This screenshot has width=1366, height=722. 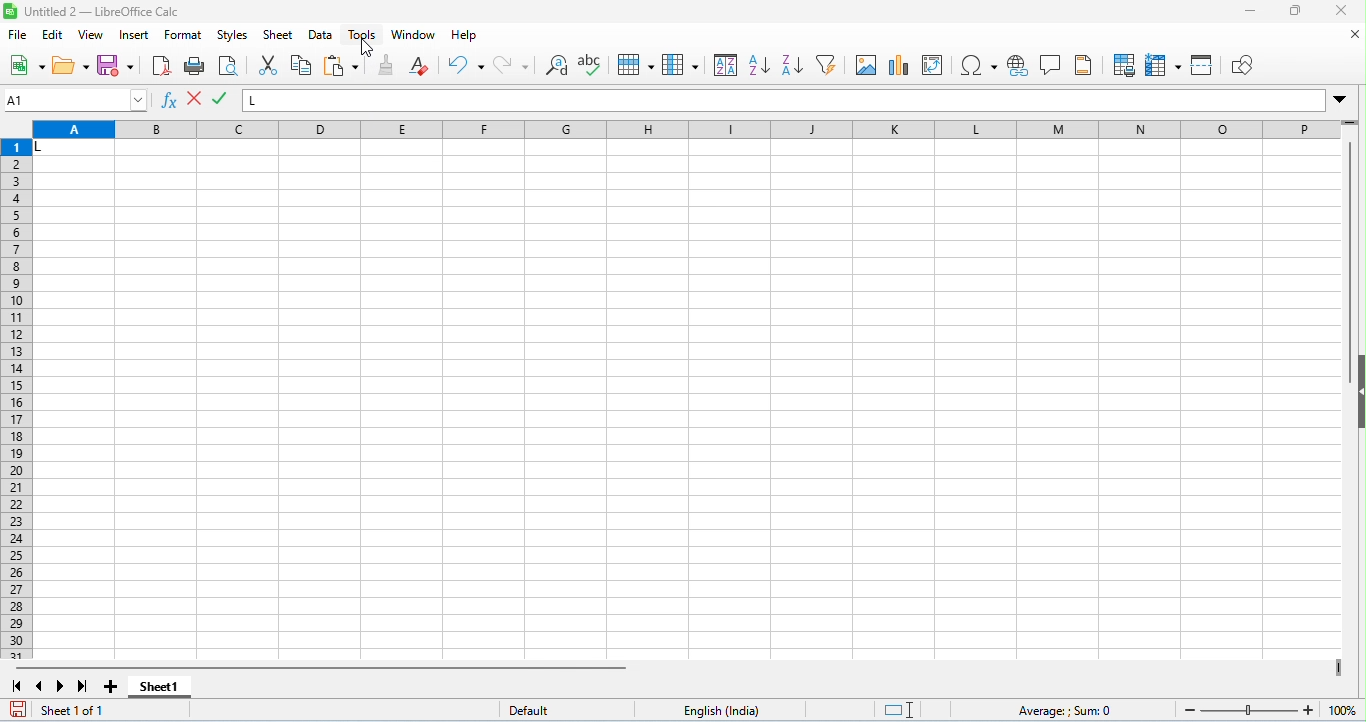 What do you see at coordinates (301, 65) in the screenshot?
I see `copy` at bounding box center [301, 65].